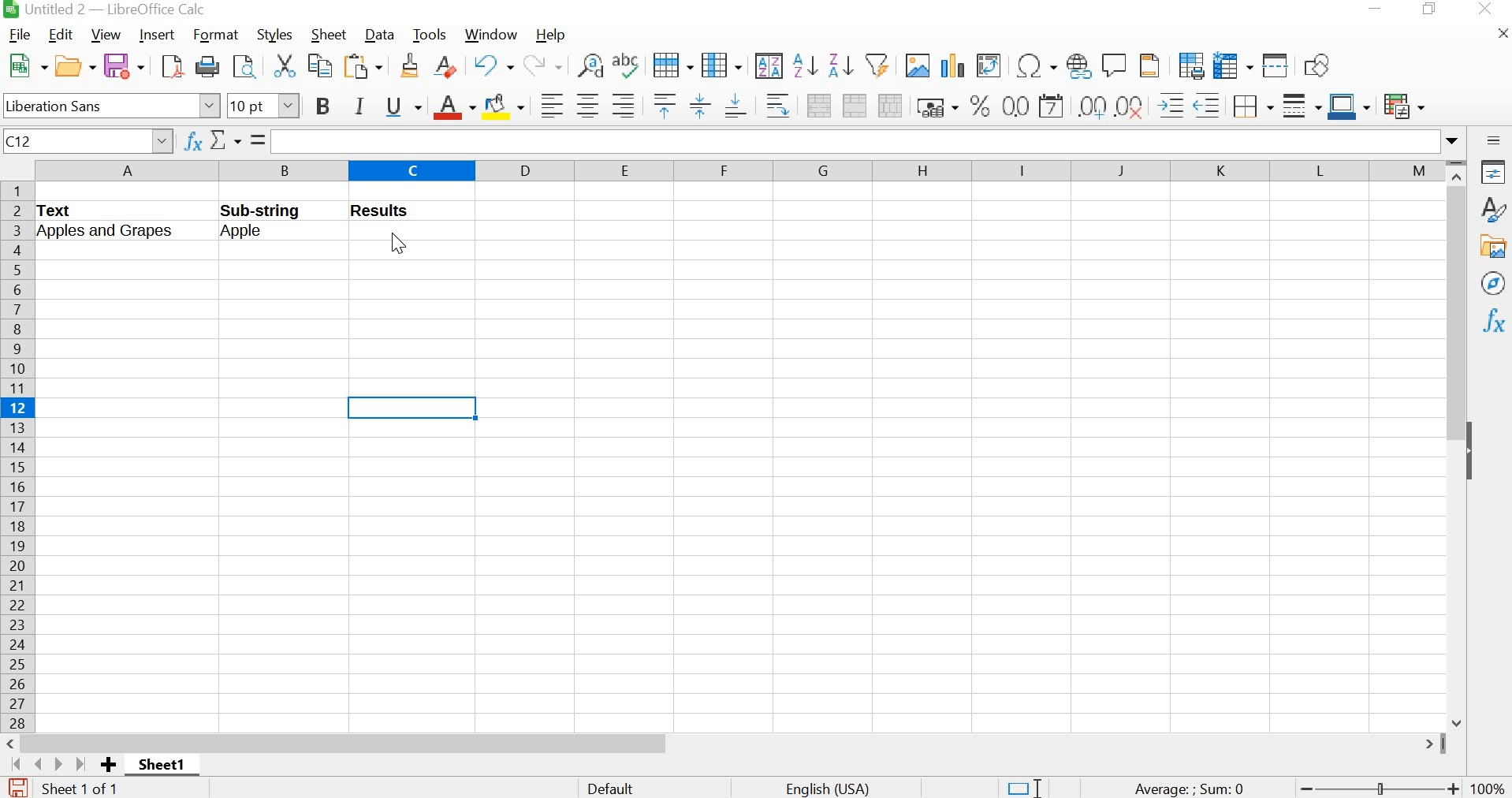 The image size is (1512, 798). Describe the element at coordinates (322, 107) in the screenshot. I see `bold` at that location.